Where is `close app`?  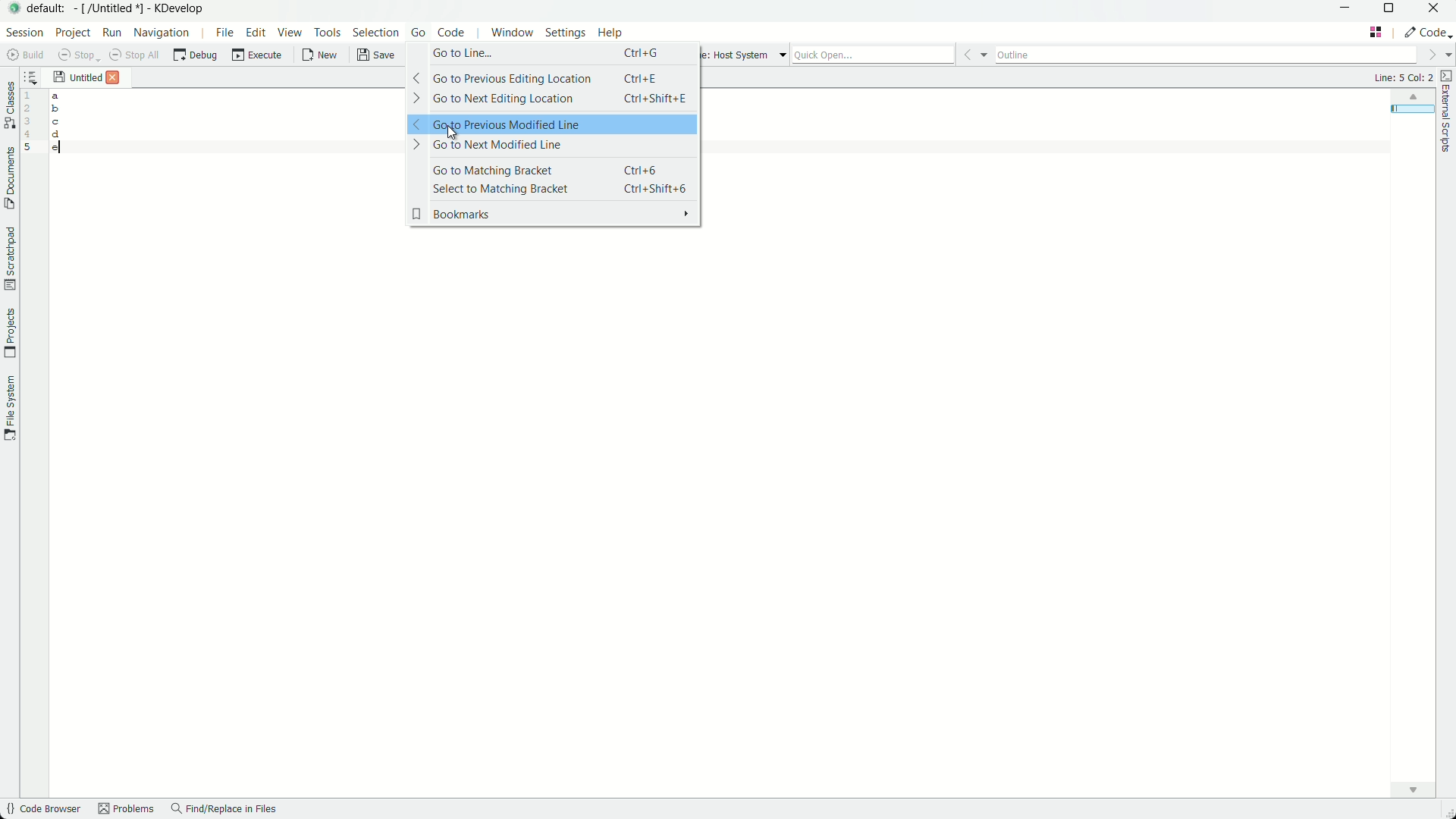 close app is located at coordinates (1436, 11).